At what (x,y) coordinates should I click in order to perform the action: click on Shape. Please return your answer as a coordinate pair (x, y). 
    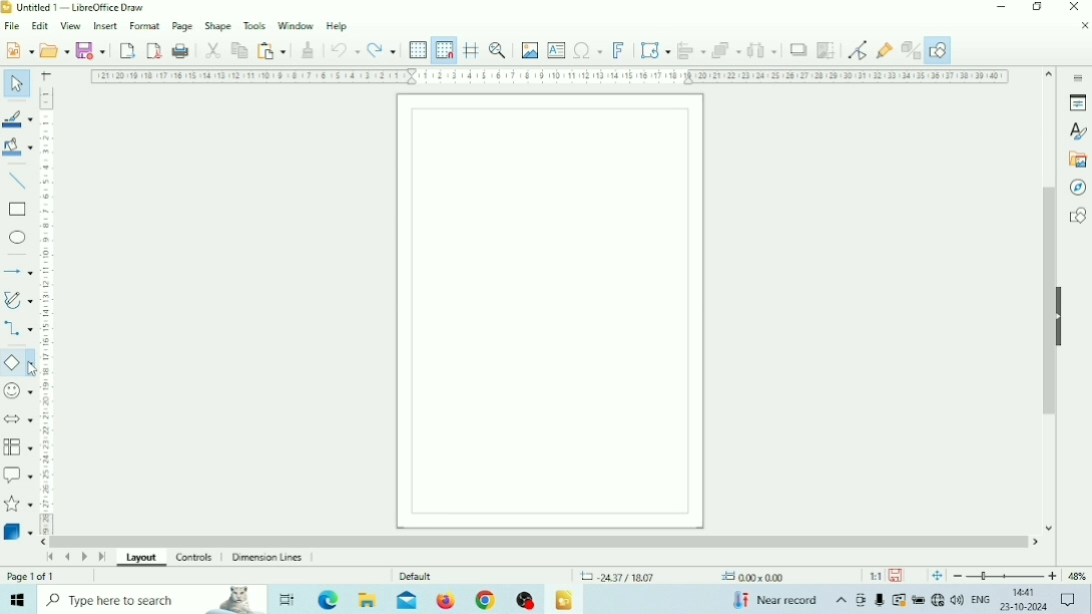
    Looking at the image, I should click on (218, 26).